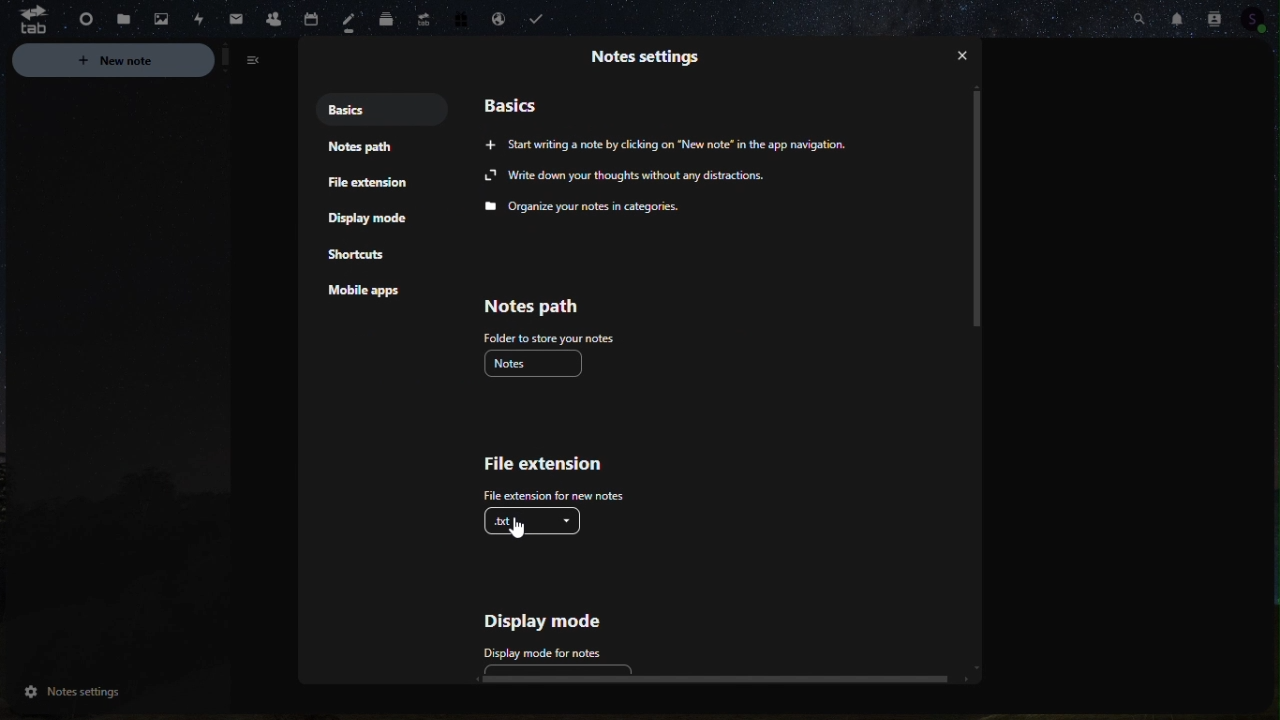 The width and height of the screenshot is (1280, 720). I want to click on Notifications, so click(1177, 16).